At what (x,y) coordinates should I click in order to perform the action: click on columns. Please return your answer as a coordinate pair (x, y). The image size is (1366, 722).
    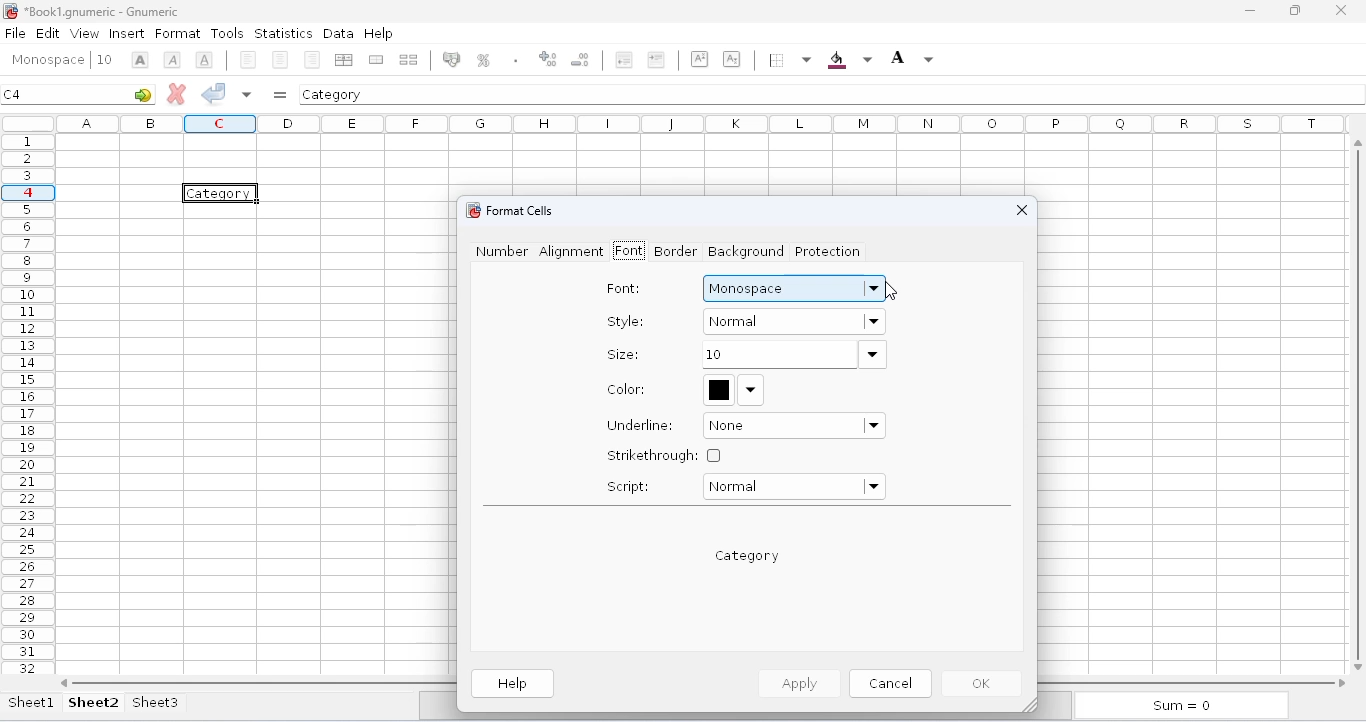
    Looking at the image, I should click on (705, 123).